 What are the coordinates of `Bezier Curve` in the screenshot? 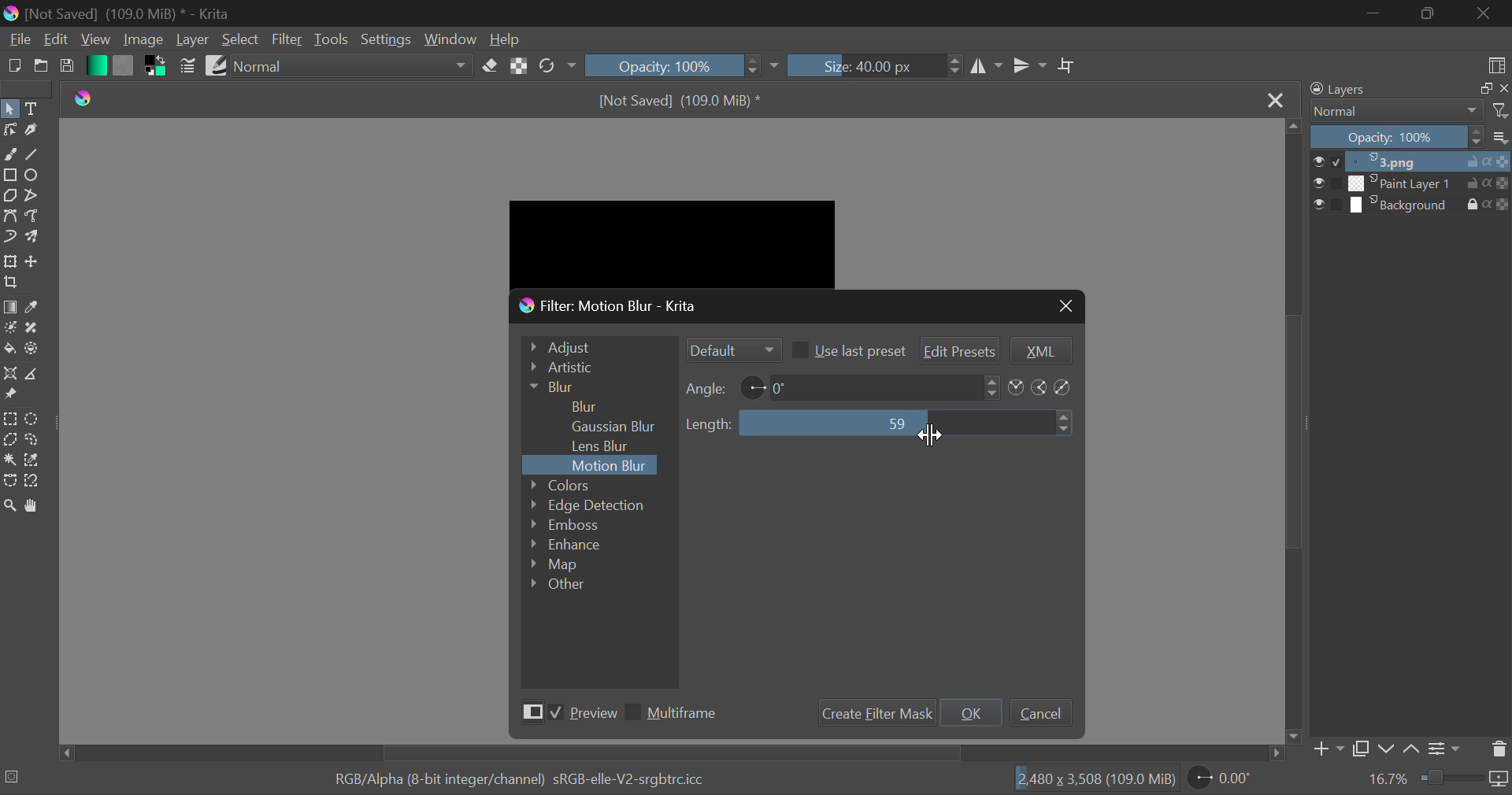 It's located at (9, 215).